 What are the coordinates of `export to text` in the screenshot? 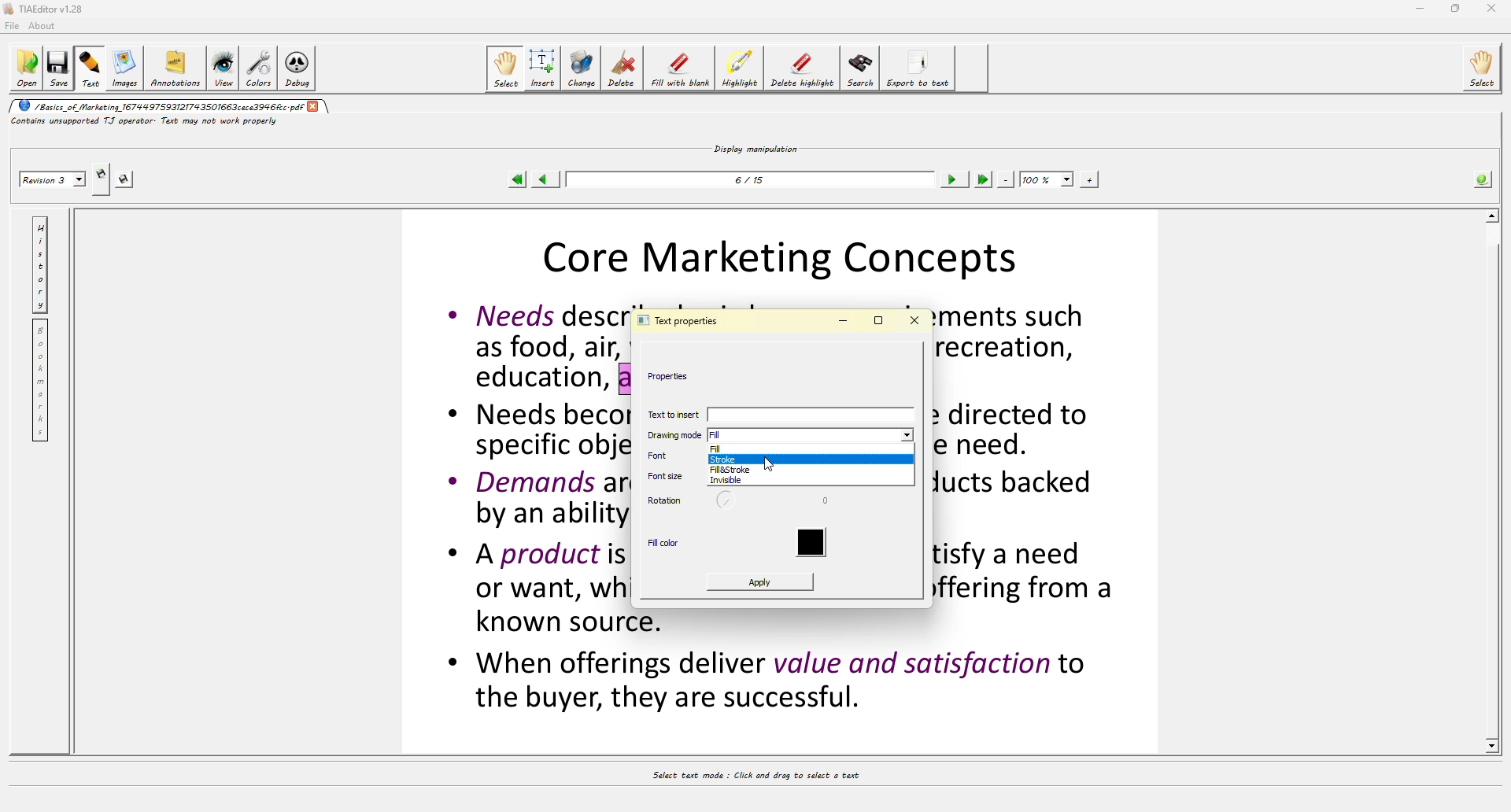 It's located at (914, 66).